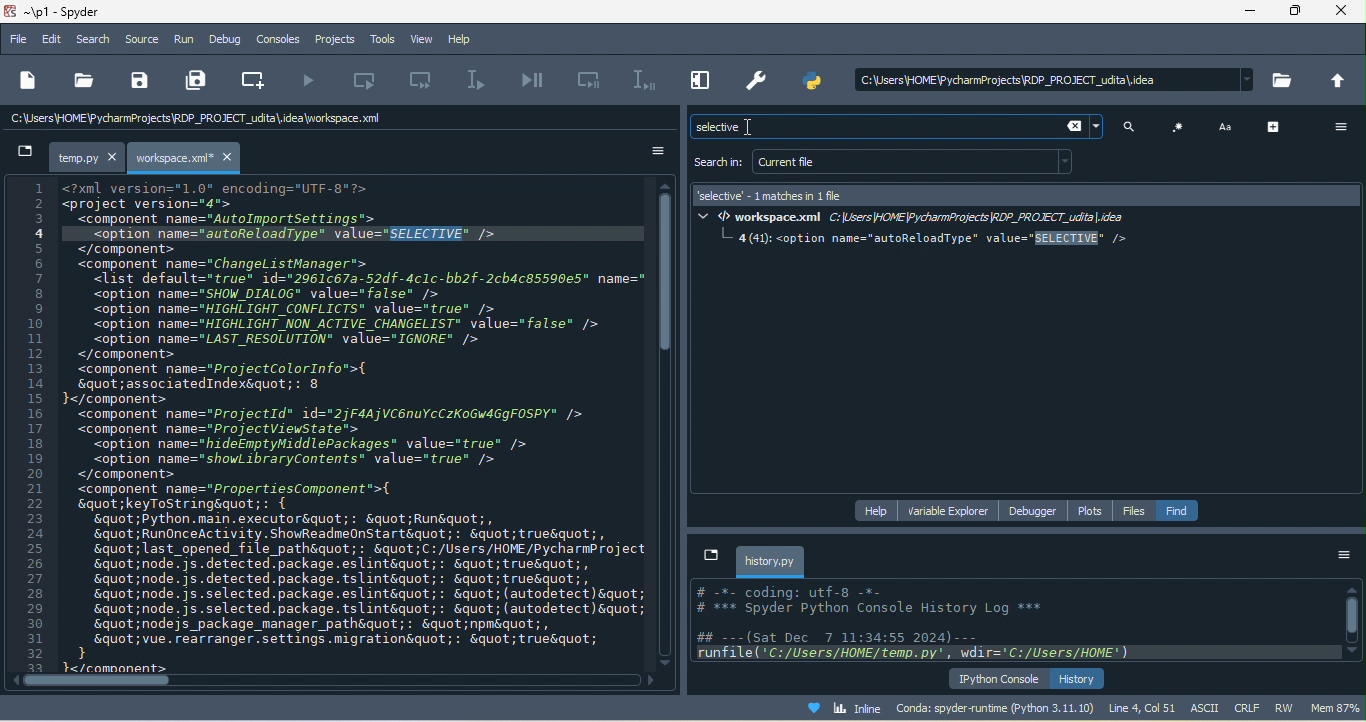  I want to click on view, so click(419, 40).